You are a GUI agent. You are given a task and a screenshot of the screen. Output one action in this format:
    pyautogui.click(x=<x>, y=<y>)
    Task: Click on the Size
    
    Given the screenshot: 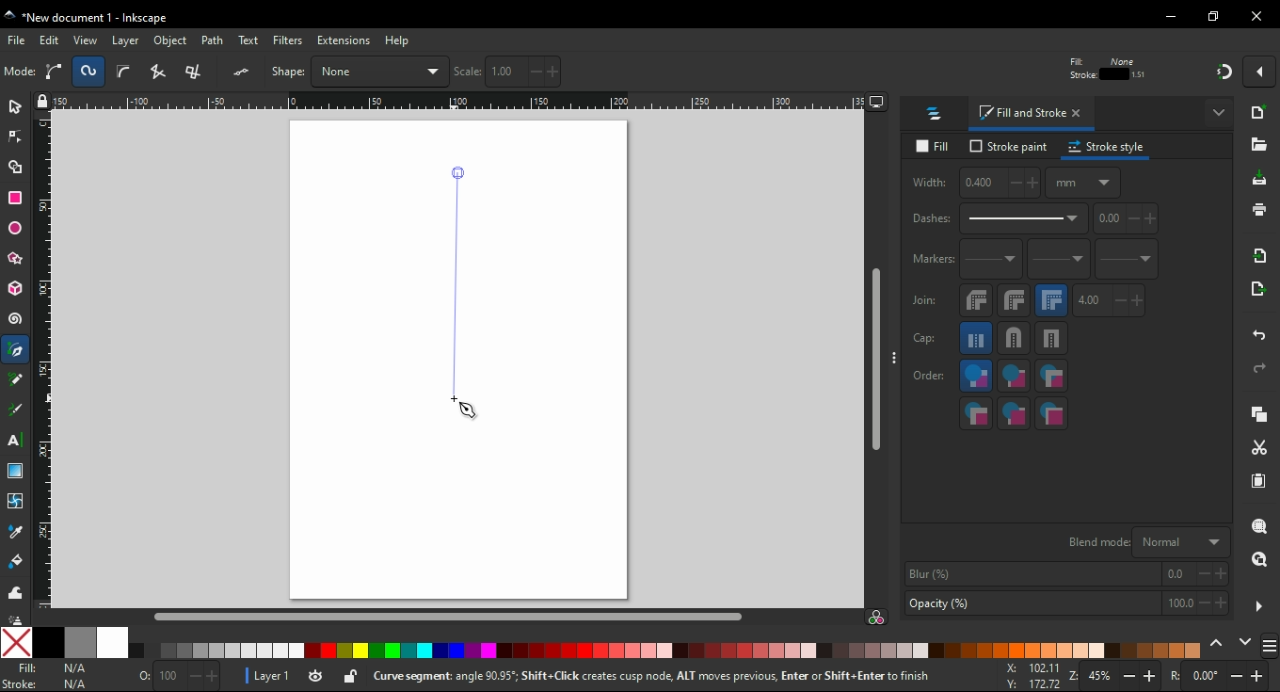 What is the action you would take?
    pyautogui.click(x=173, y=677)
    